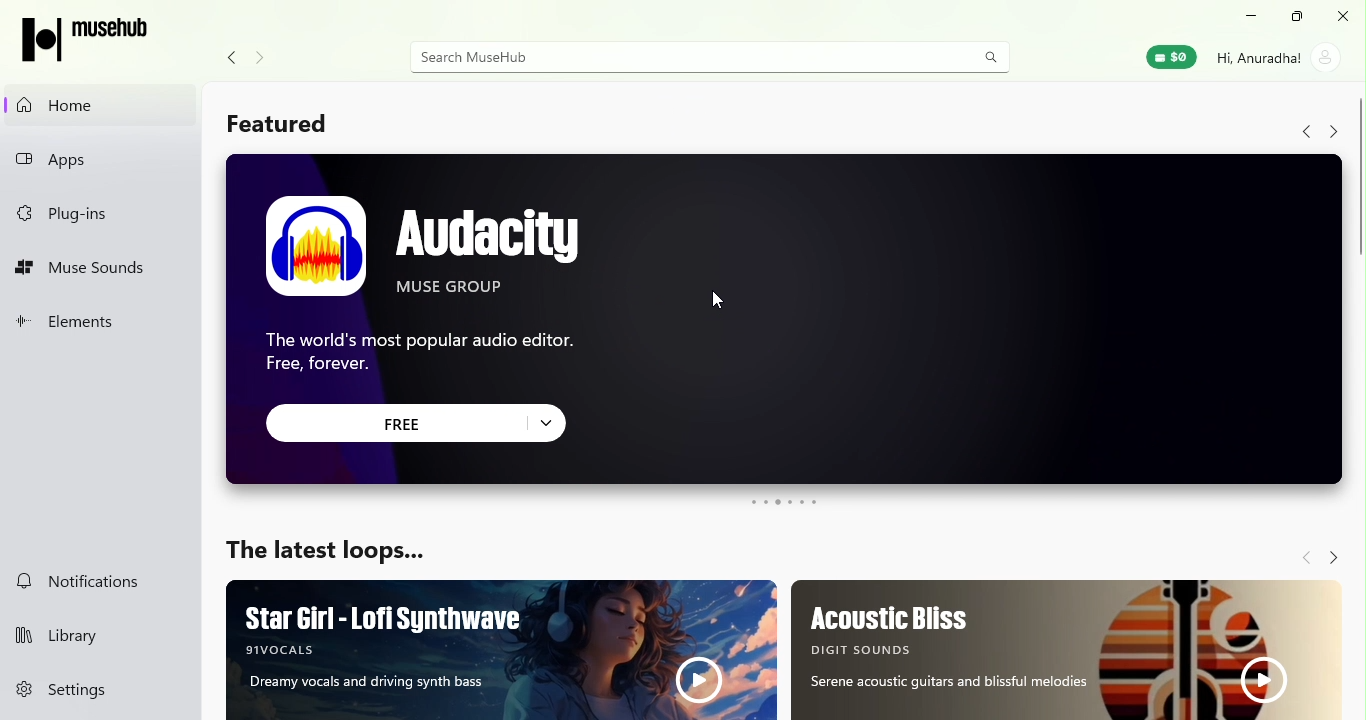 The height and width of the screenshot is (720, 1366). What do you see at coordinates (1358, 316) in the screenshot?
I see `Scroll bar` at bounding box center [1358, 316].